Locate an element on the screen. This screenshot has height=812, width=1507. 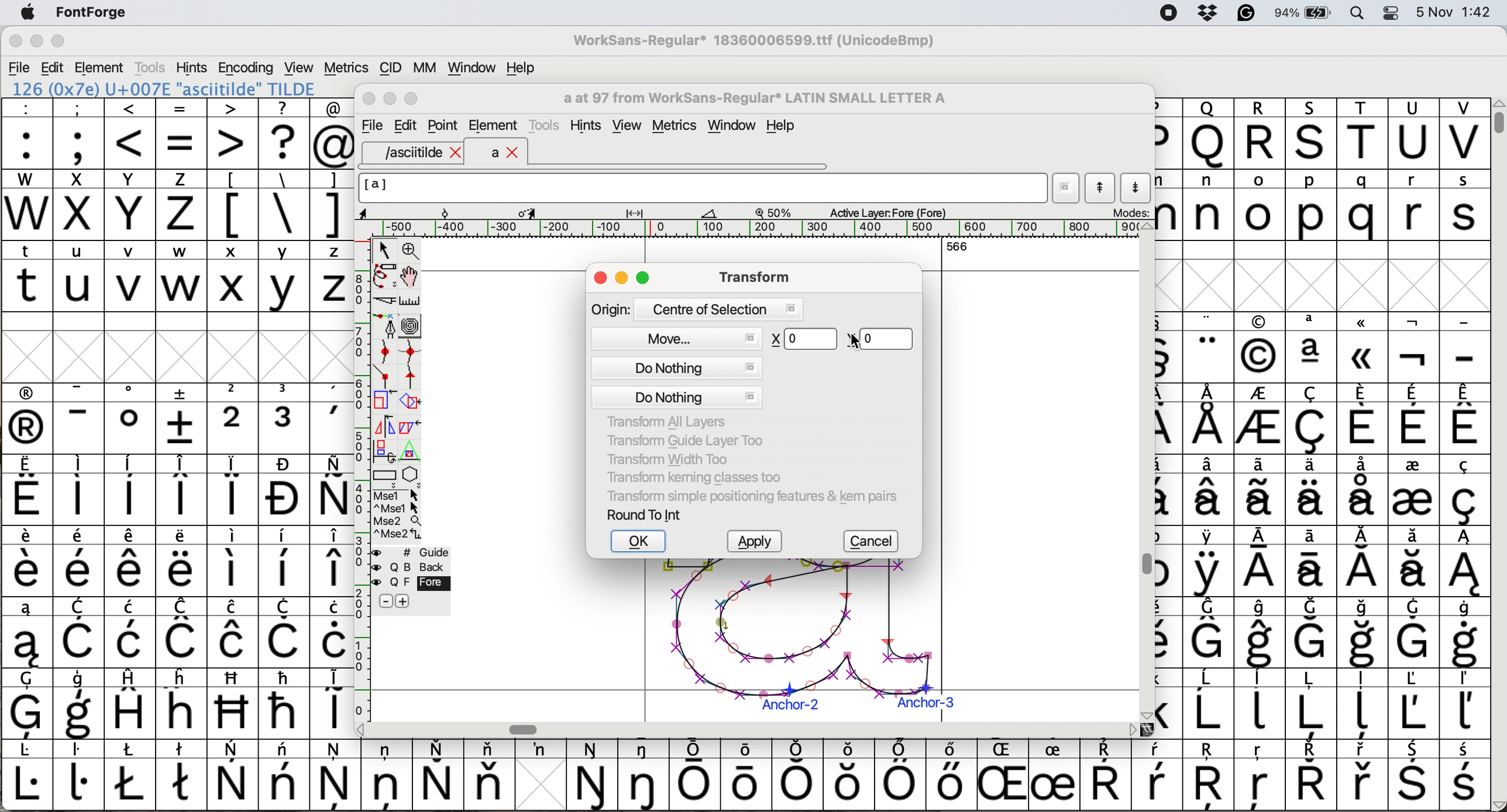
symbol is located at coordinates (1261, 702).